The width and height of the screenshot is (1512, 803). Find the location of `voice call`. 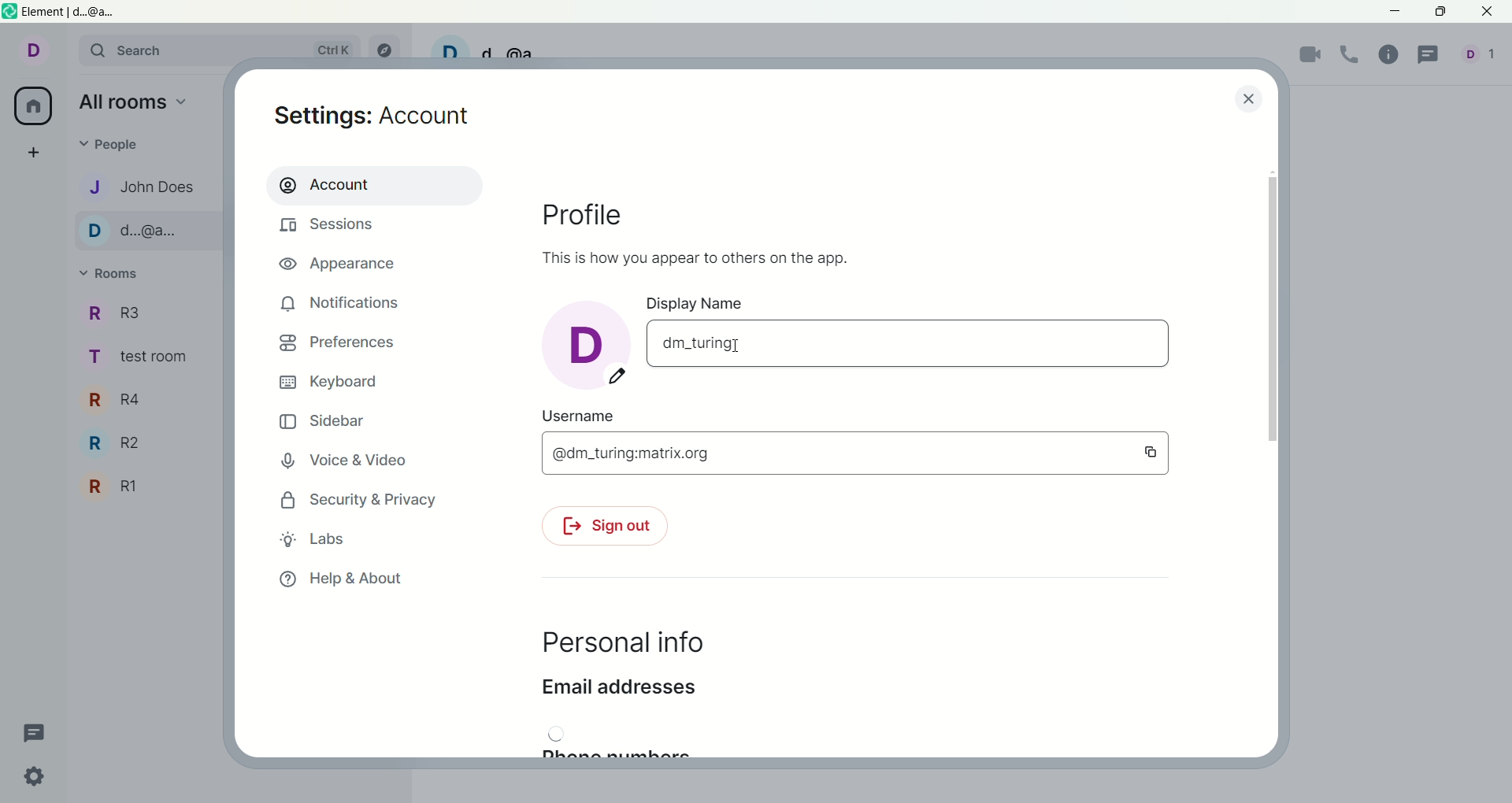

voice call is located at coordinates (1354, 55).